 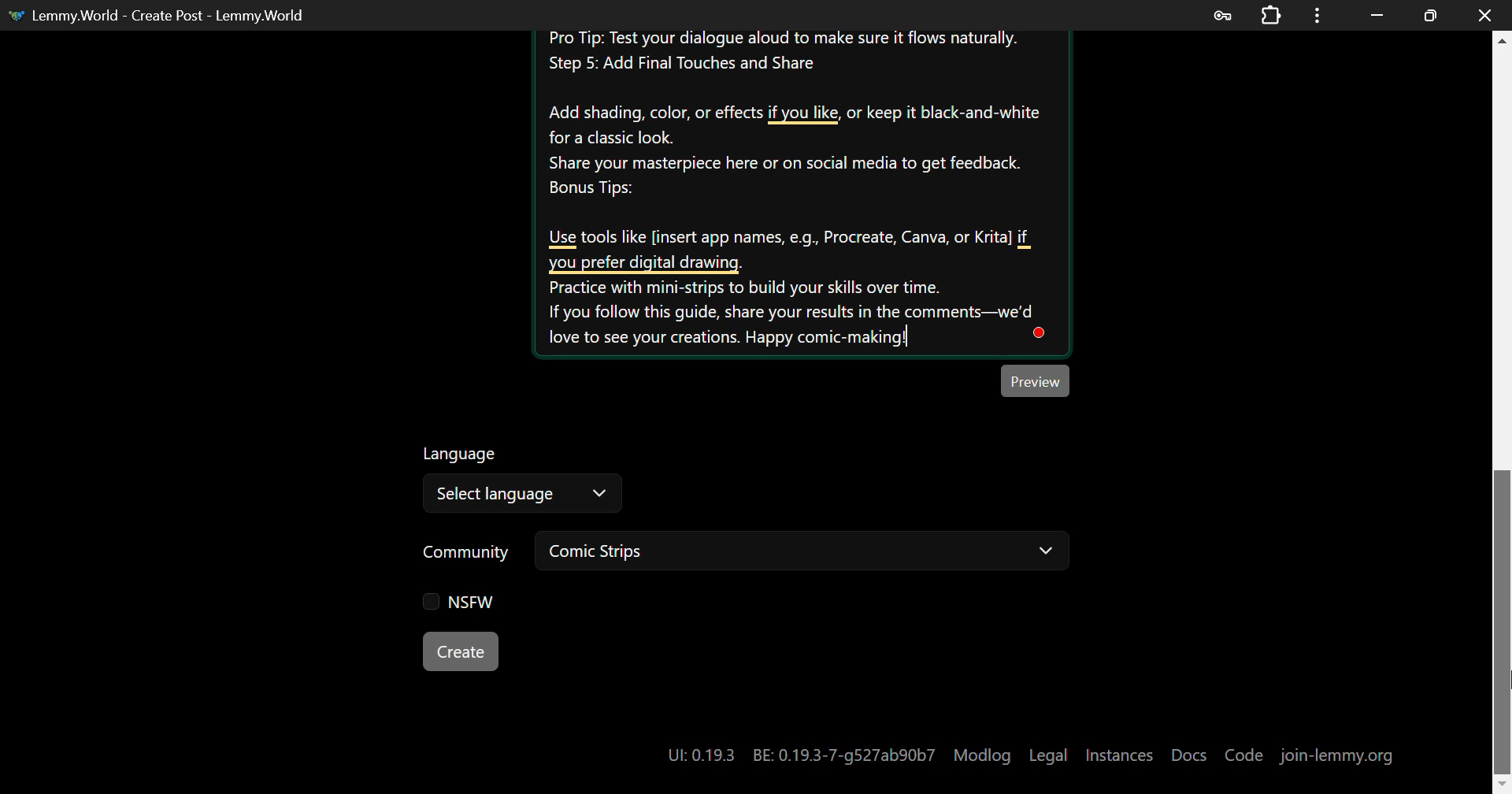 What do you see at coordinates (1052, 756) in the screenshot?
I see `Legal` at bounding box center [1052, 756].